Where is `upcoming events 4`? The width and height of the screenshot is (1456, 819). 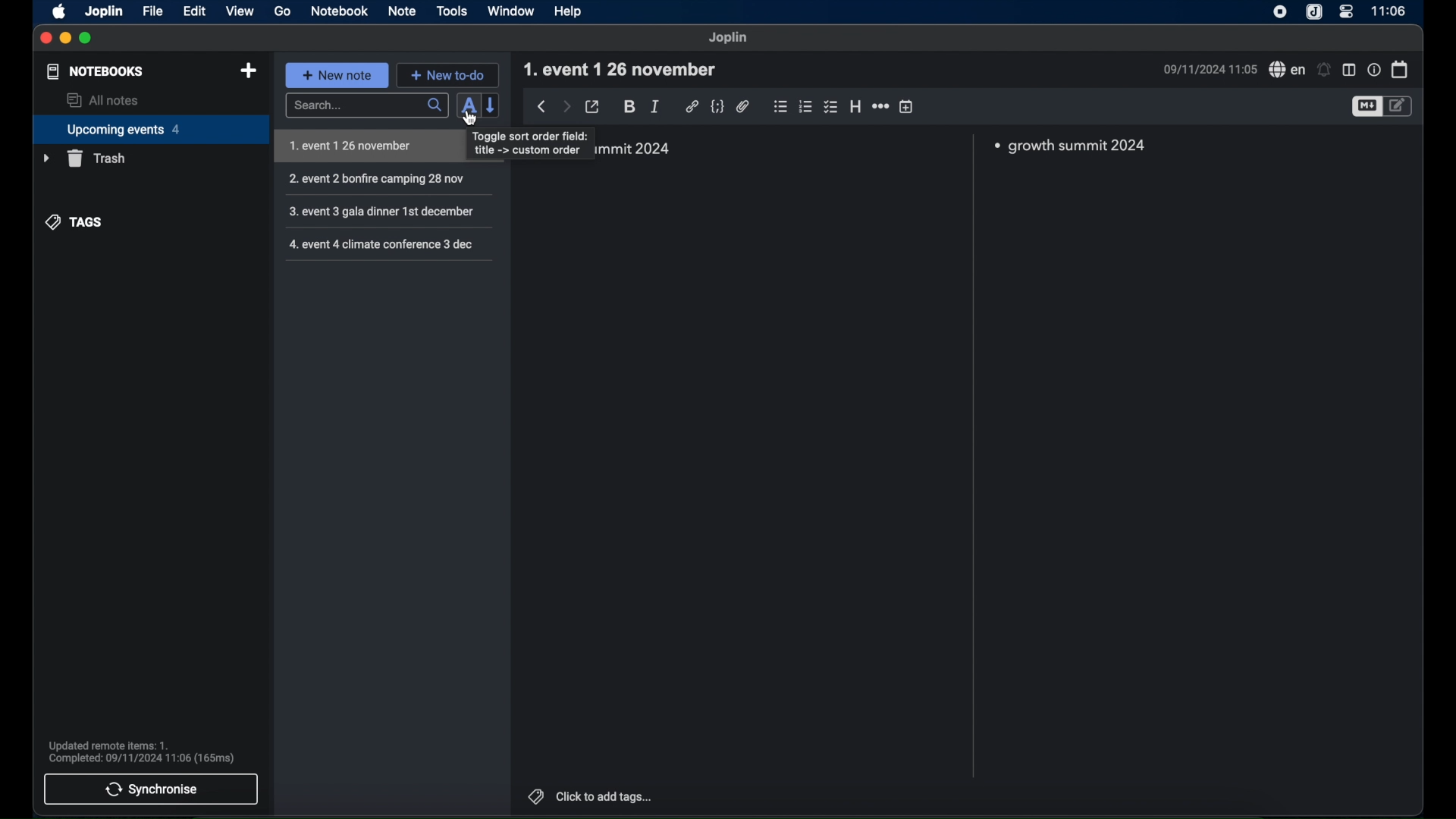
upcoming events 4 is located at coordinates (145, 129).